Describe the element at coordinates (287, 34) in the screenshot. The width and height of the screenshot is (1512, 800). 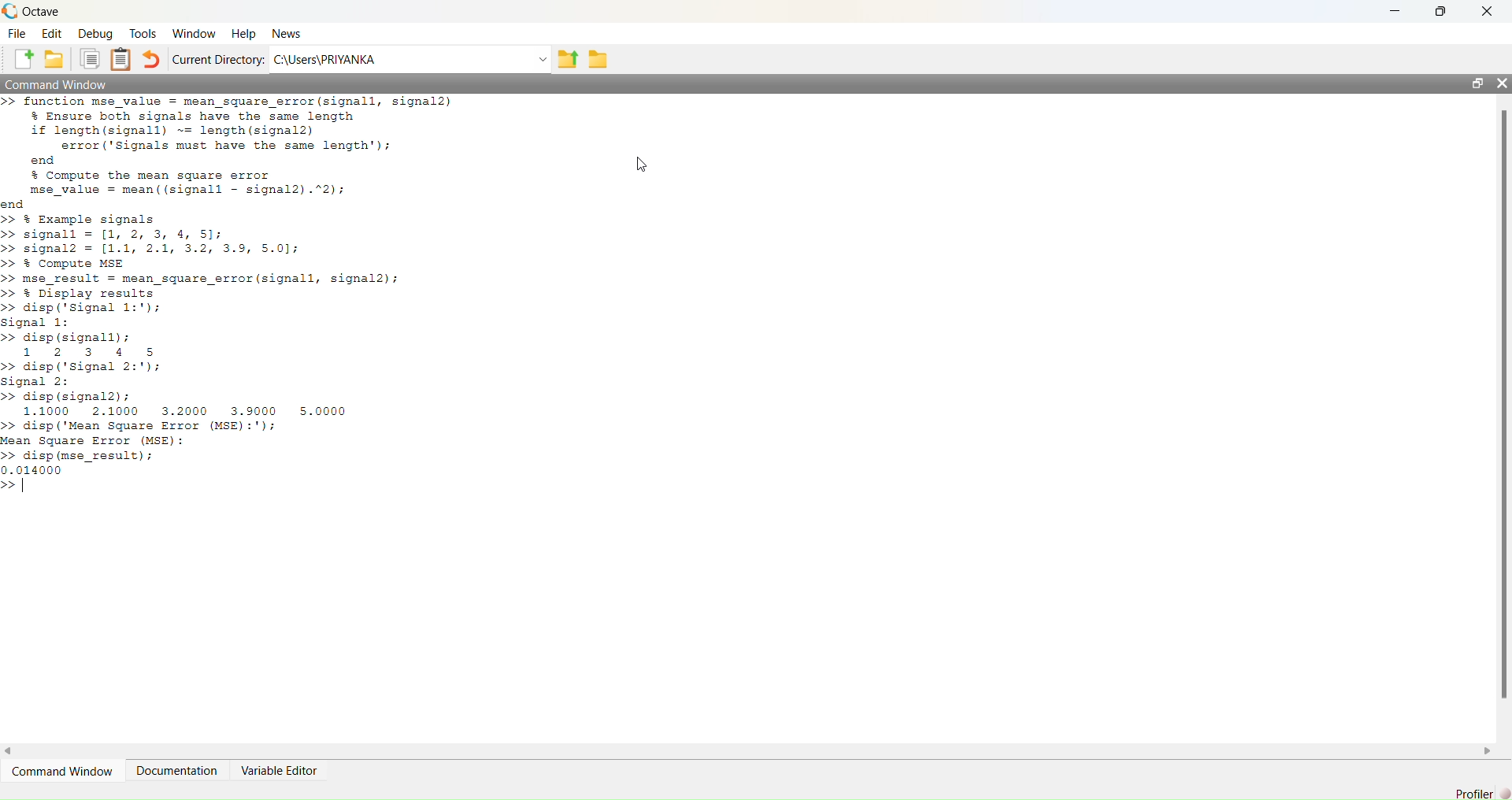
I see `news` at that location.